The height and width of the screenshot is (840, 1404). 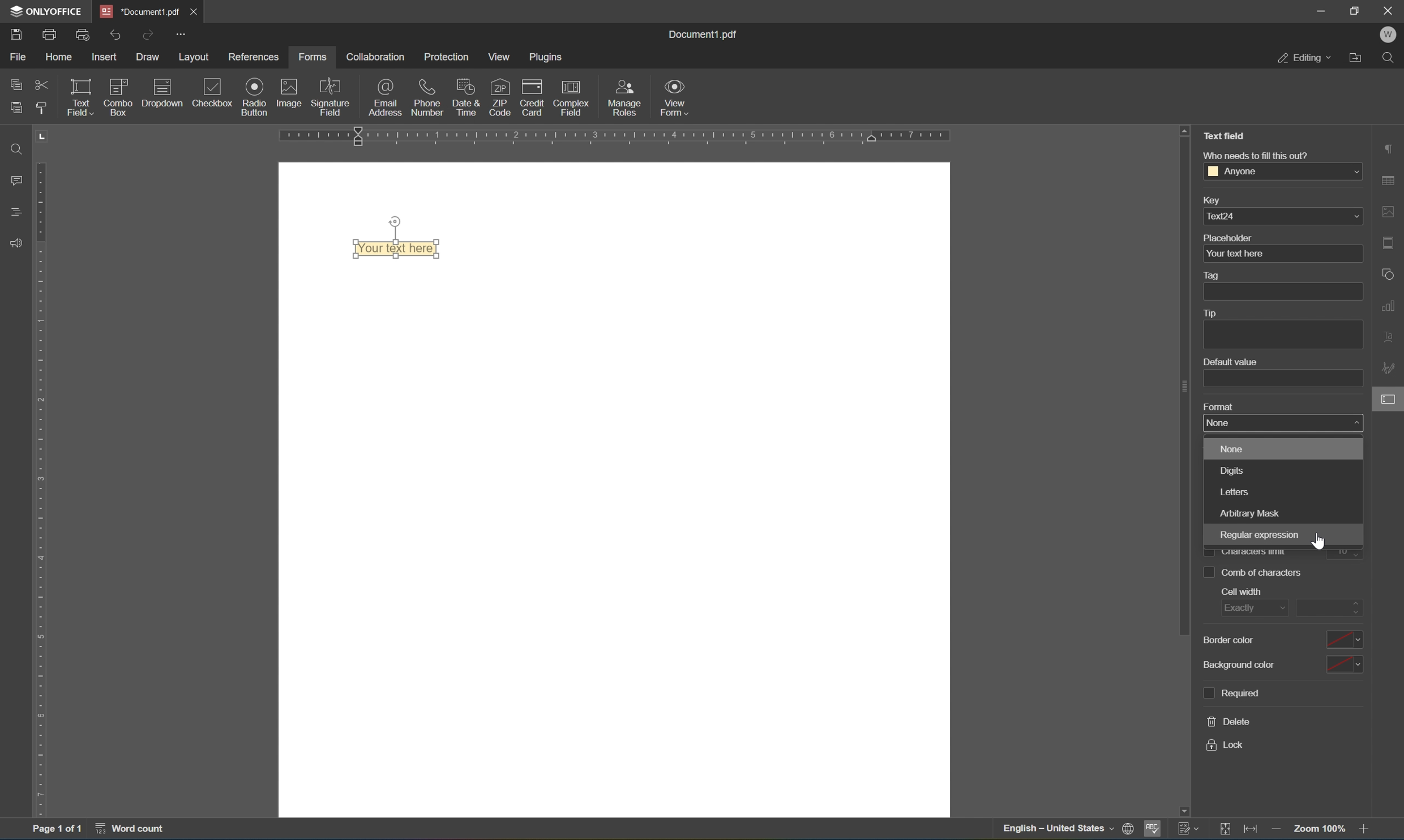 I want to click on add tip, so click(x=1282, y=336).